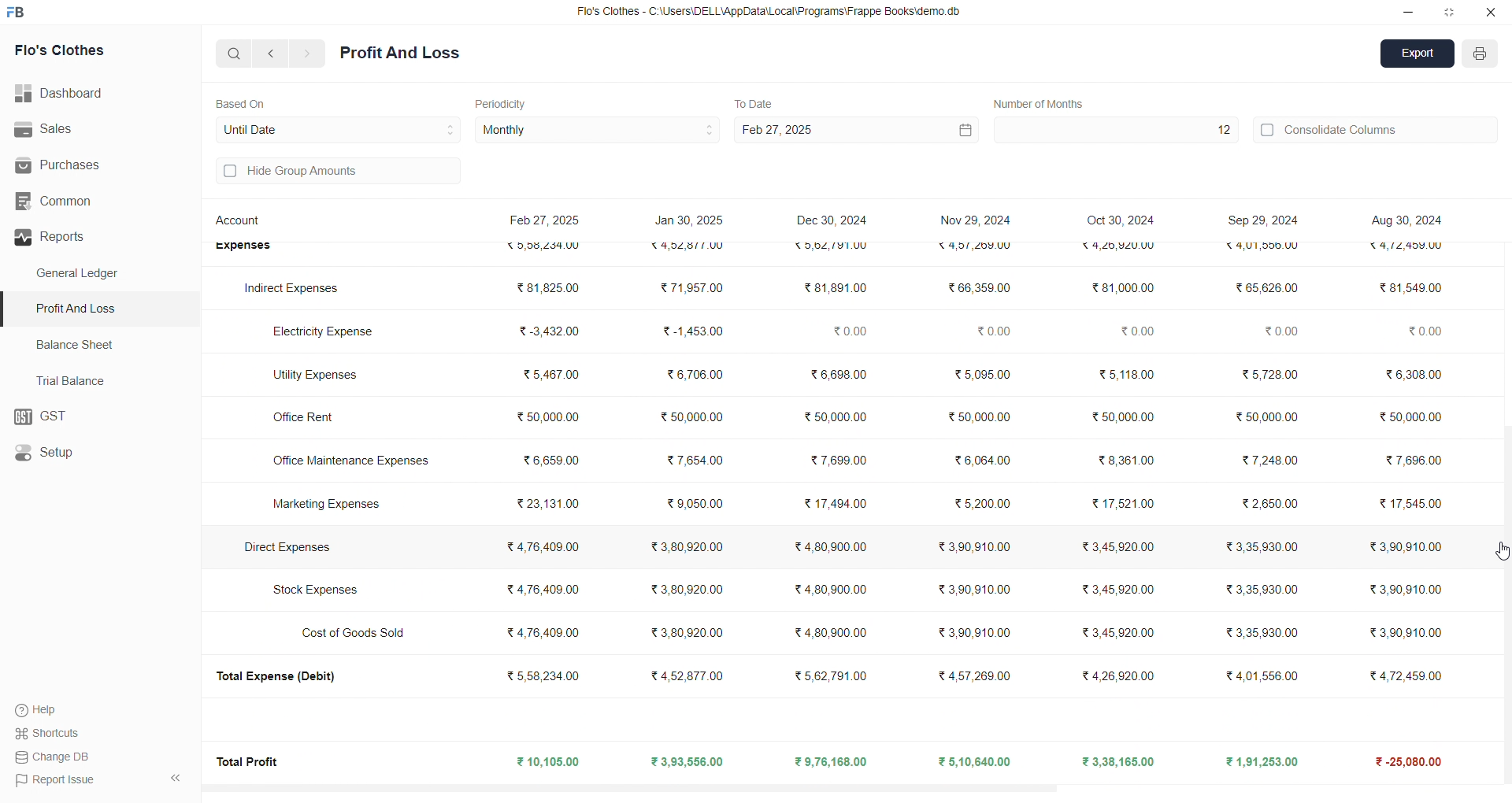 Image resolution: width=1512 pixels, height=803 pixels. What do you see at coordinates (250, 760) in the screenshot?
I see `Total Profit` at bounding box center [250, 760].